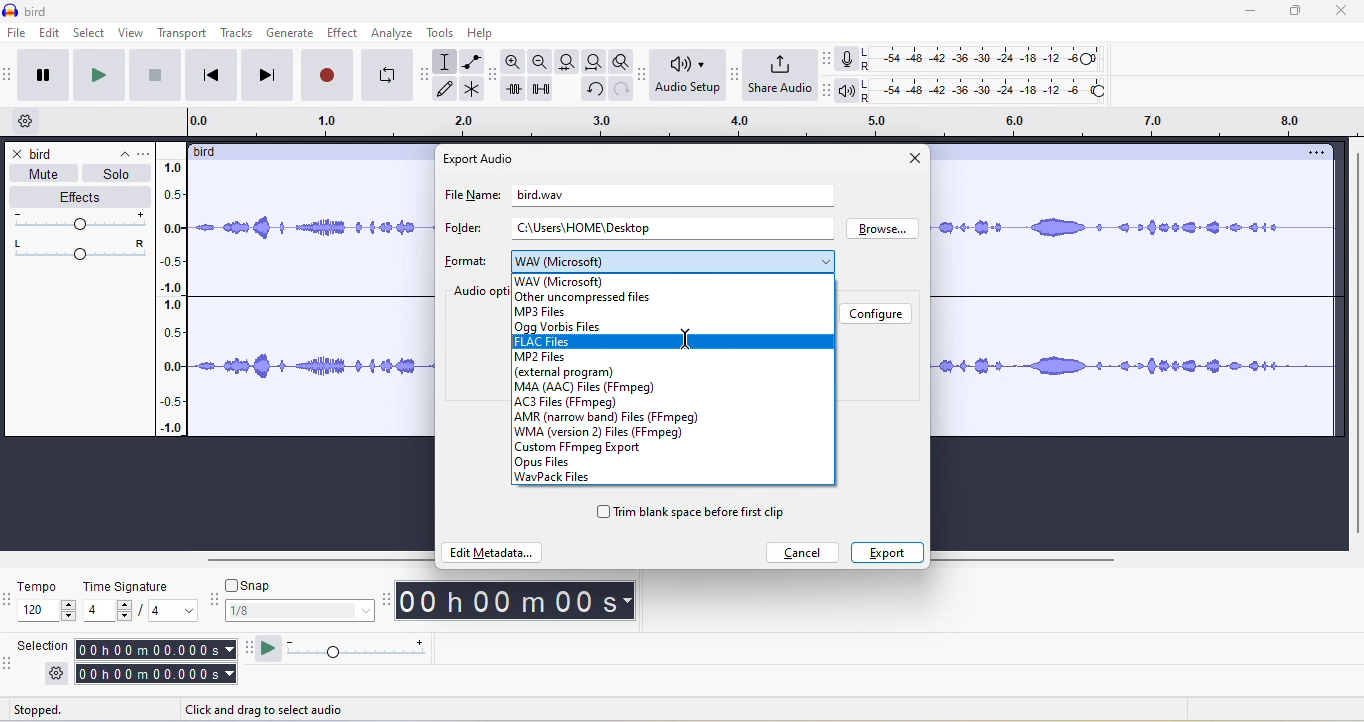  What do you see at coordinates (131, 33) in the screenshot?
I see `view` at bounding box center [131, 33].